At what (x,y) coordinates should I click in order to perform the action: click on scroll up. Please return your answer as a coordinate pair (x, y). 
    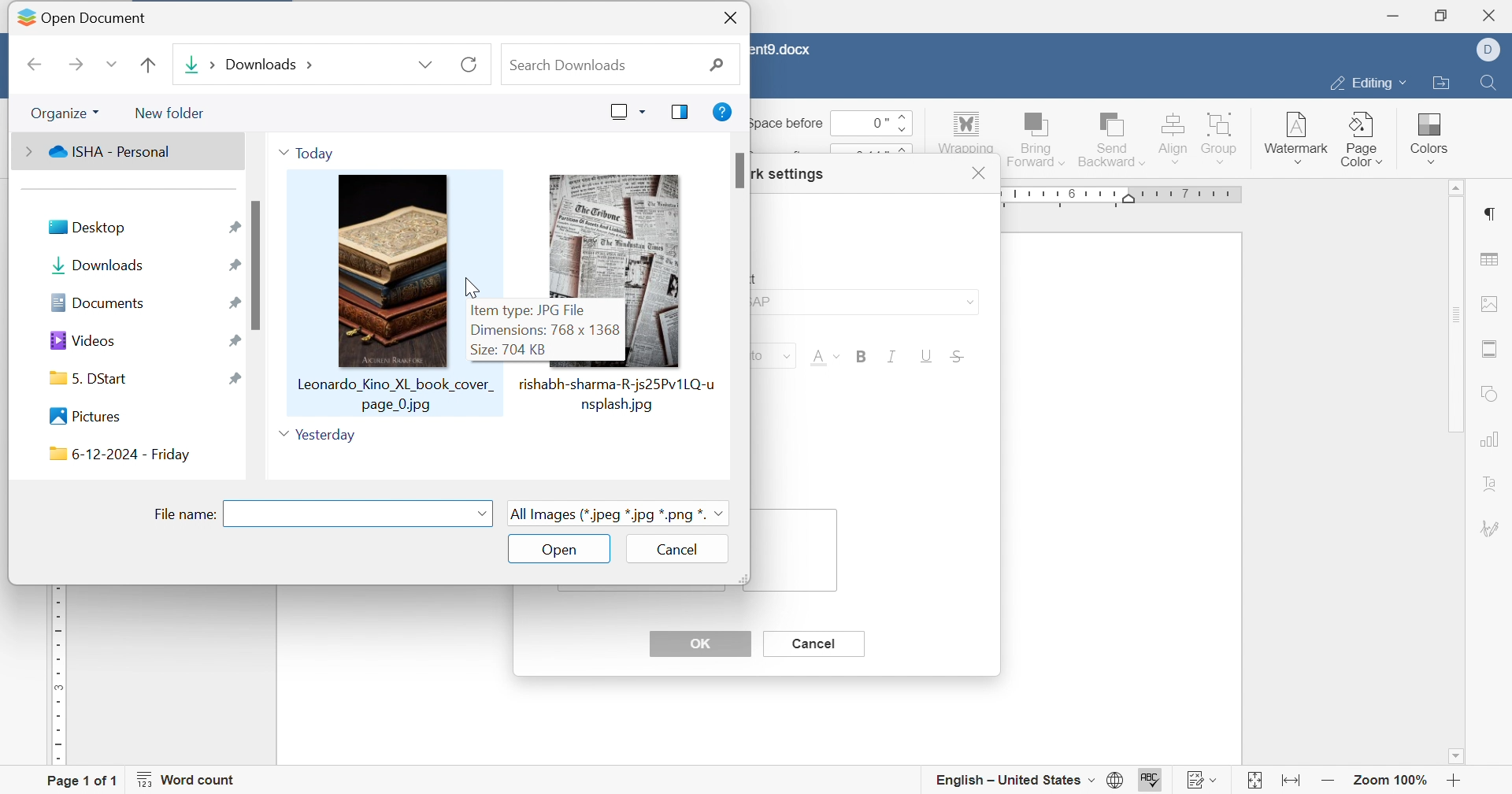
    Looking at the image, I should click on (1451, 187).